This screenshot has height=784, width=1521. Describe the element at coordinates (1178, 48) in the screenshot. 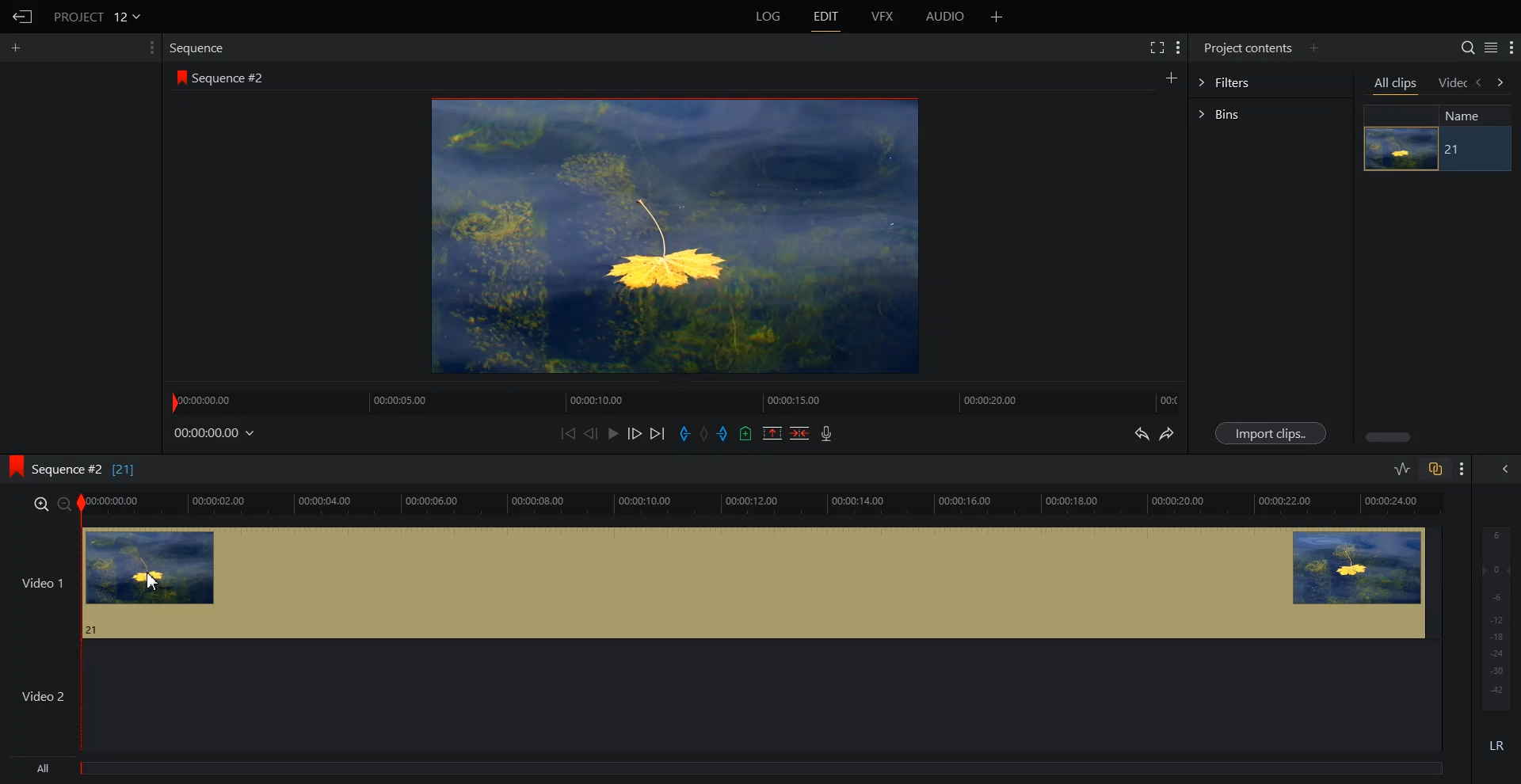

I see `Show Setting Menu` at that location.